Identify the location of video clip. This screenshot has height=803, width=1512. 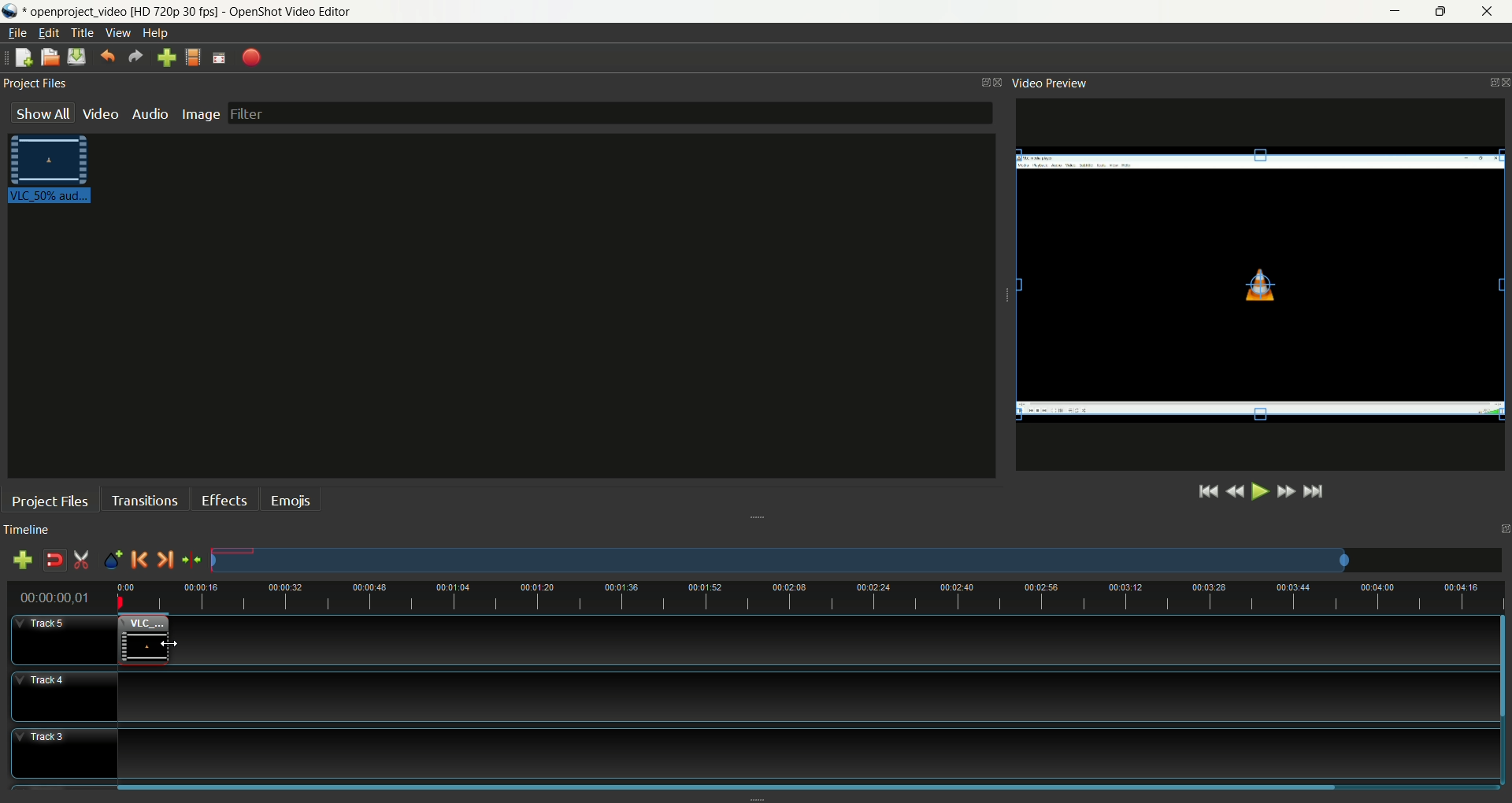
(57, 170).